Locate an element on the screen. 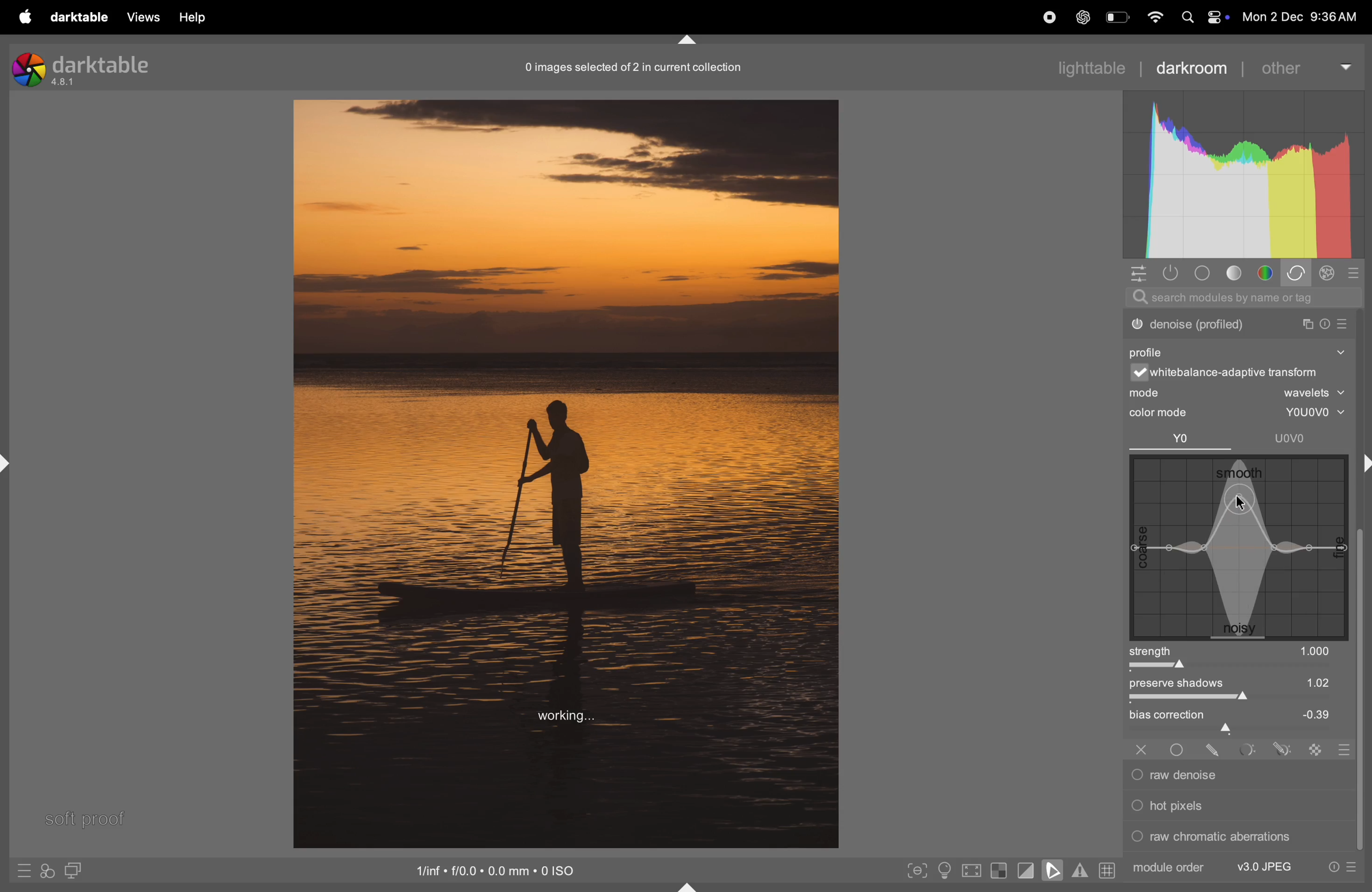  correct is located at coordinates (1299, 274).